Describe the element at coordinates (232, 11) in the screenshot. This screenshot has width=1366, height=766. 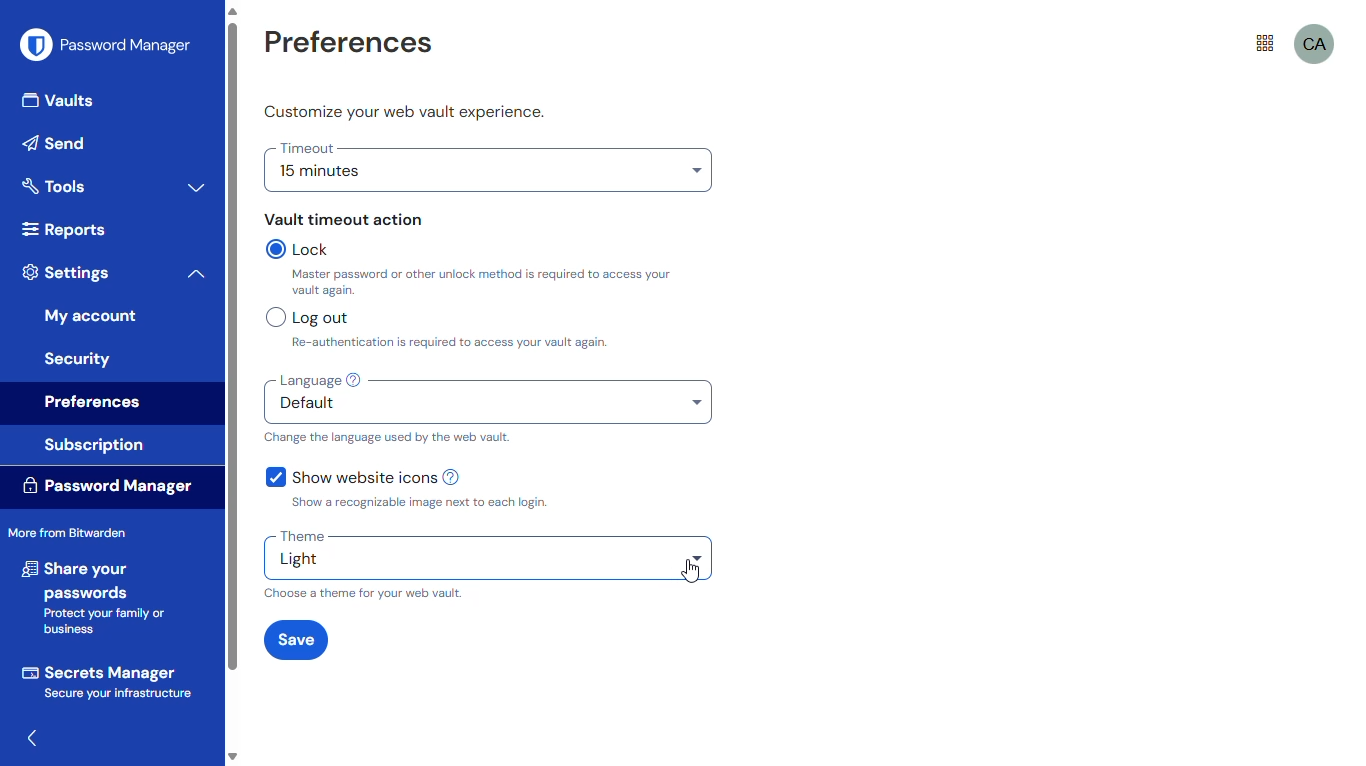
I see `scroll up` at that location.